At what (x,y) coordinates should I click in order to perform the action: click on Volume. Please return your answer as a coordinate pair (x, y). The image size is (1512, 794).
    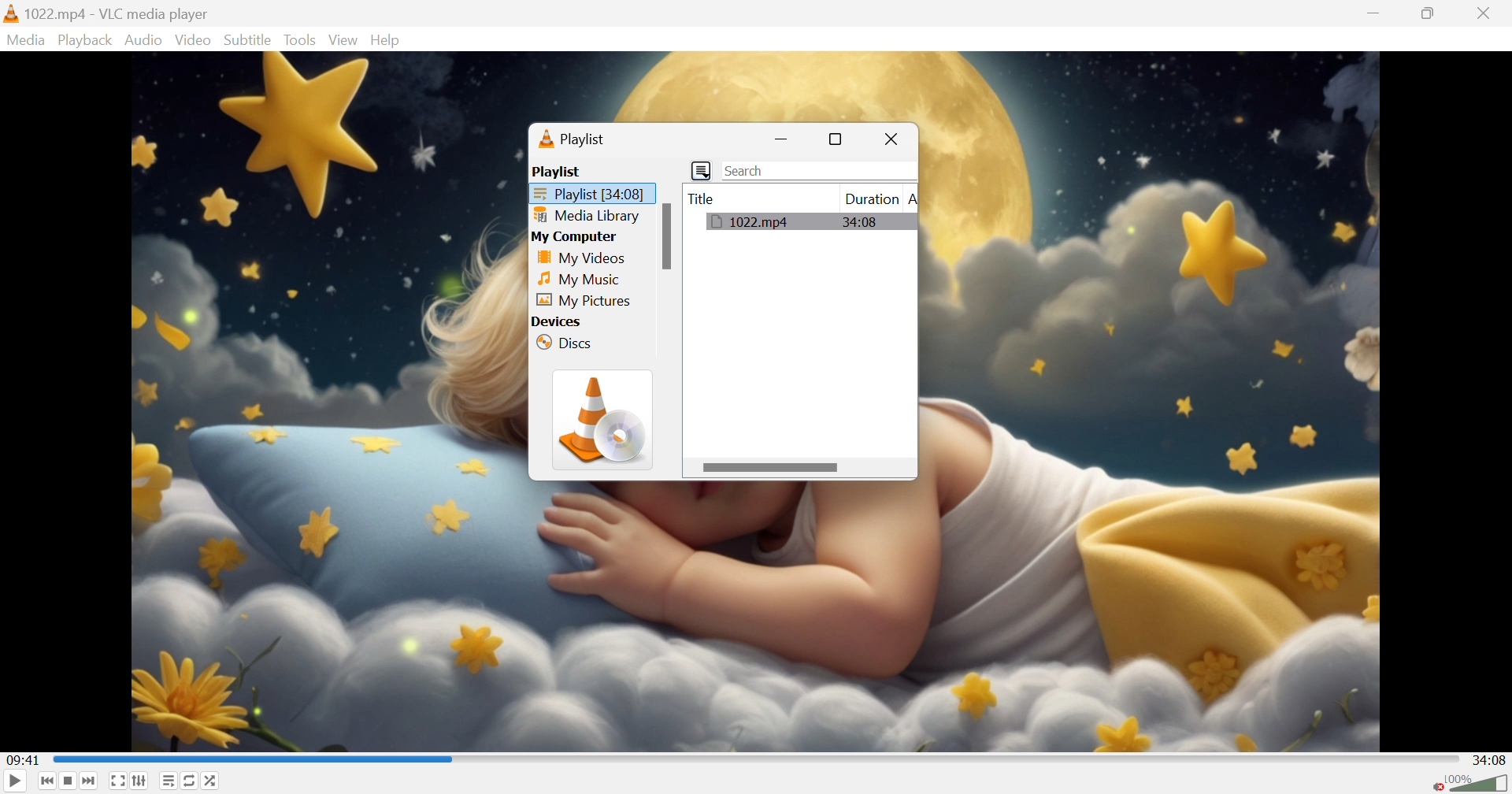
    Looking at the image, I should click on (1480, 784).